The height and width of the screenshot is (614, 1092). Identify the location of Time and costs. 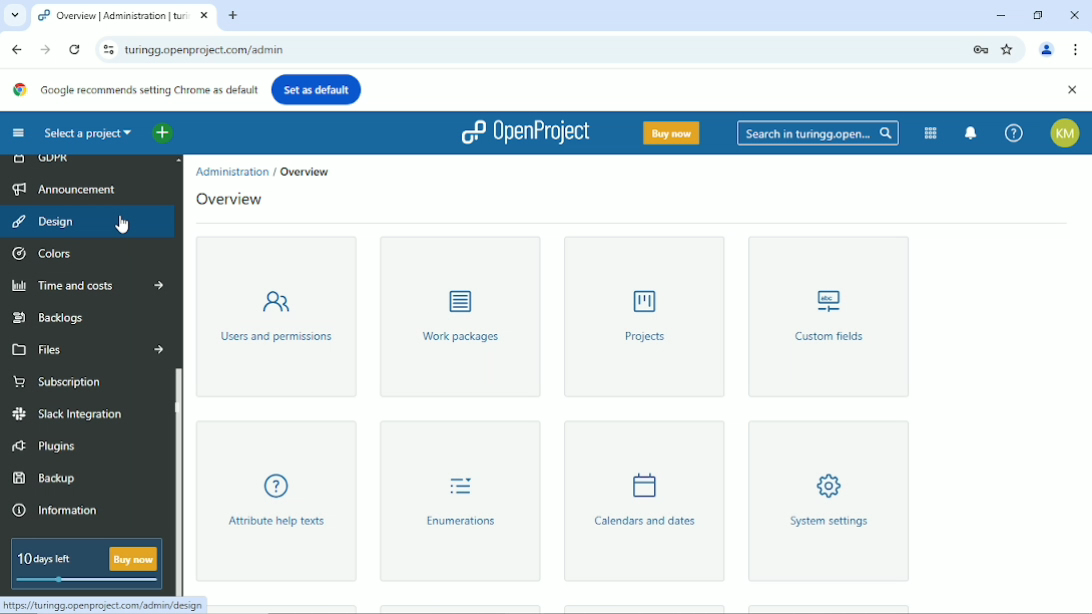
(88, 286).